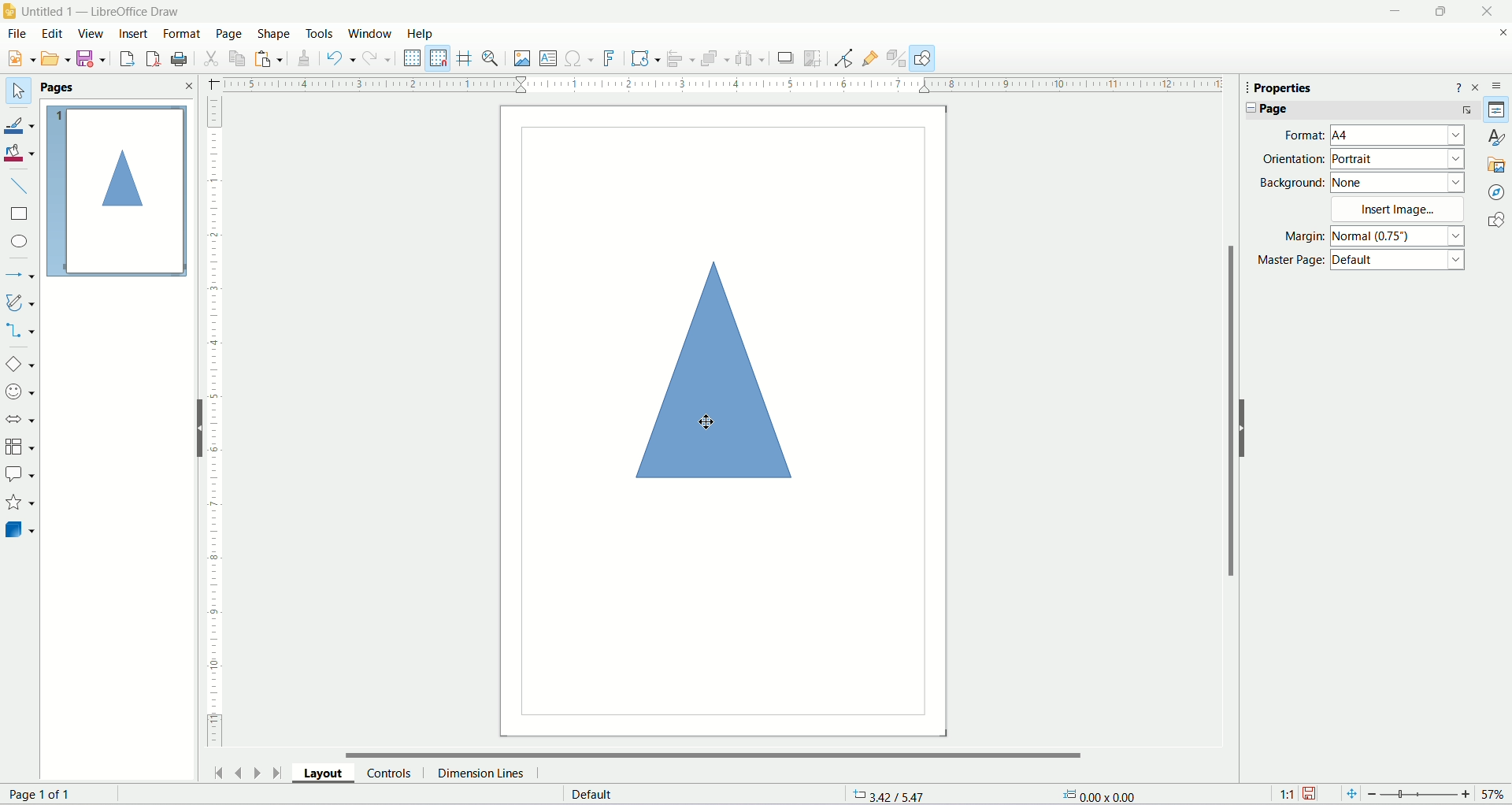 The height and width of the screenshot is (805, 1512). Describe the element at coordinates (211, 58) in the screenshot. I see `Cut` at that location.